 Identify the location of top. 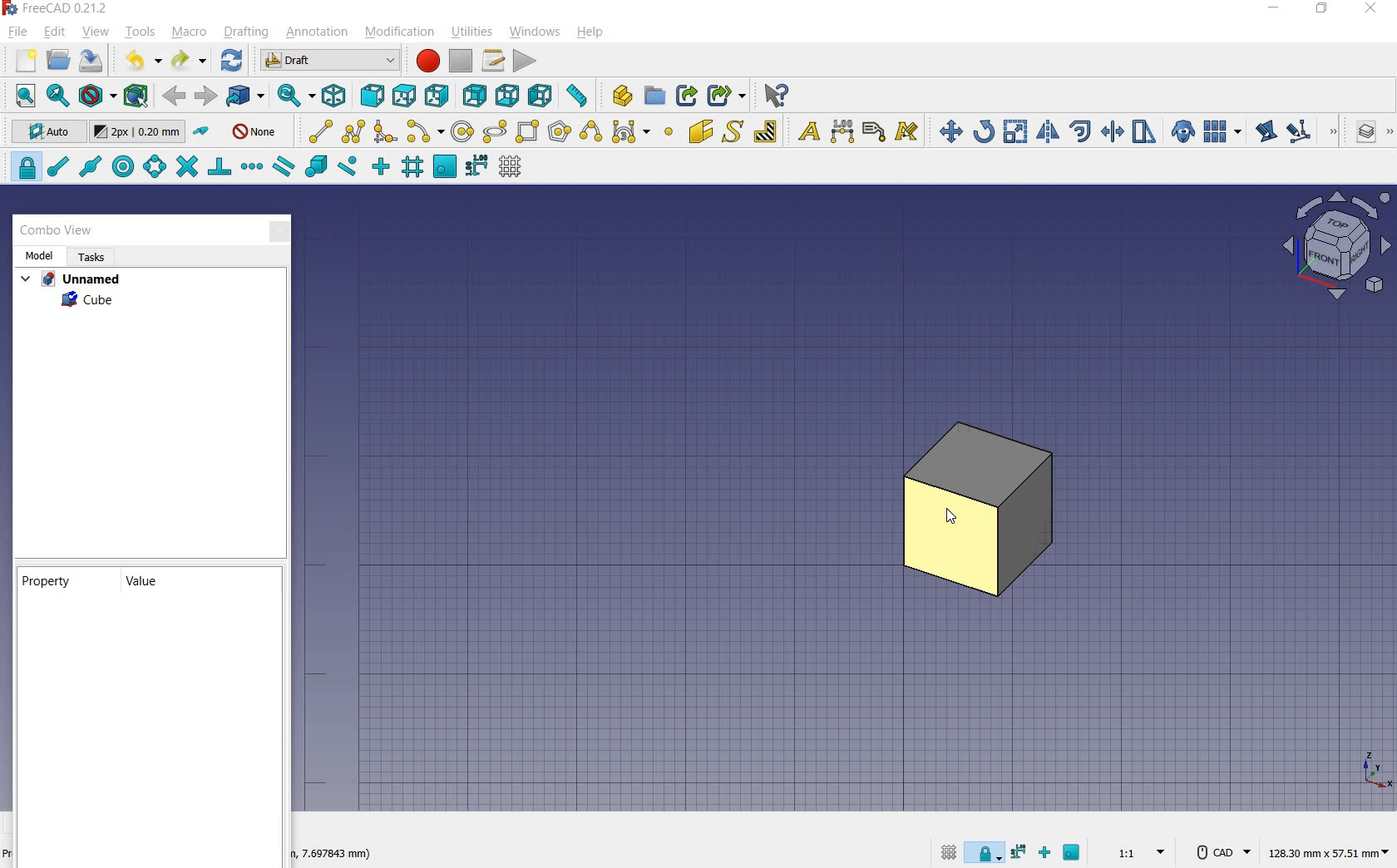
(407, 95).